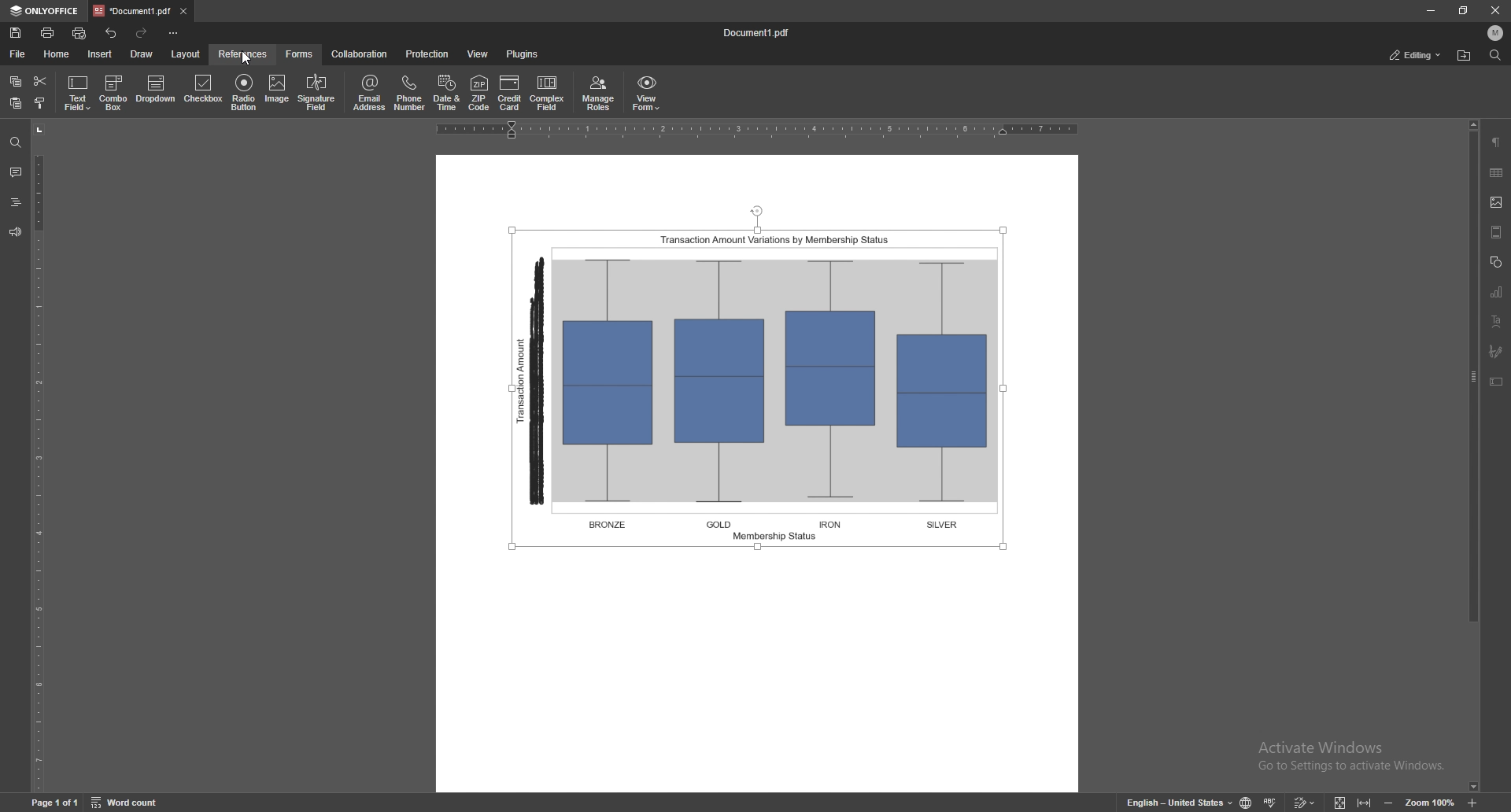 Image resolution: width=1511 pixels, height=812 pixels. I want to click on zip code, so click(478, 92).